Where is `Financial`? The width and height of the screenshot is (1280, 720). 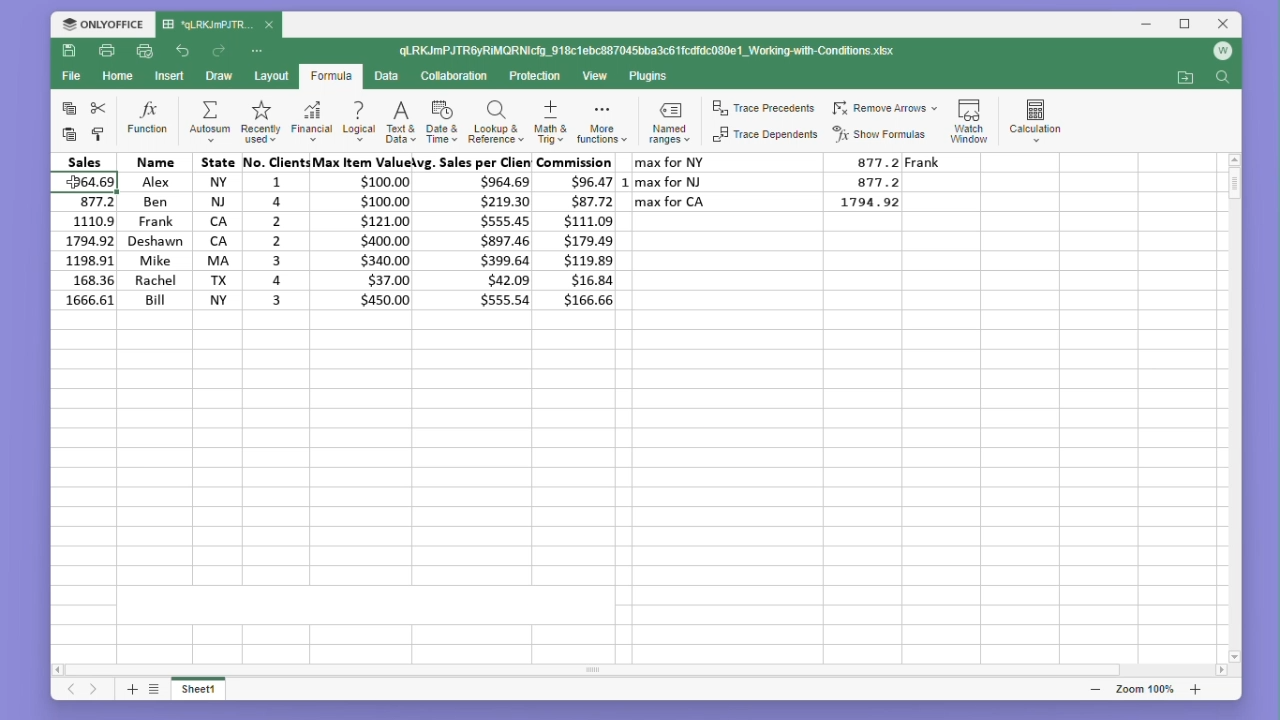
Financial is located at coordinates (312, 120).